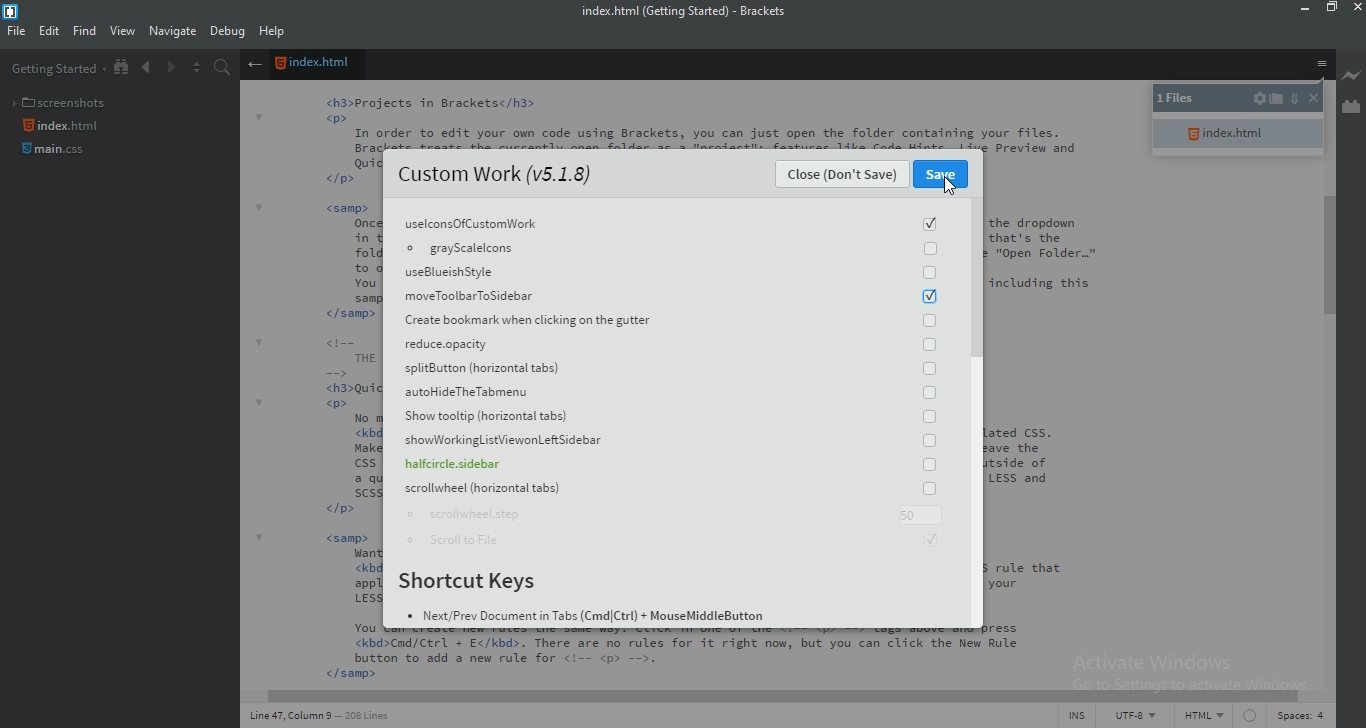 The height and width of the screenshot is (728, 1366). What do you see at coordinates (1334, 11) in the screenshot?
I see `restore` at bounding box center [1334, 11].